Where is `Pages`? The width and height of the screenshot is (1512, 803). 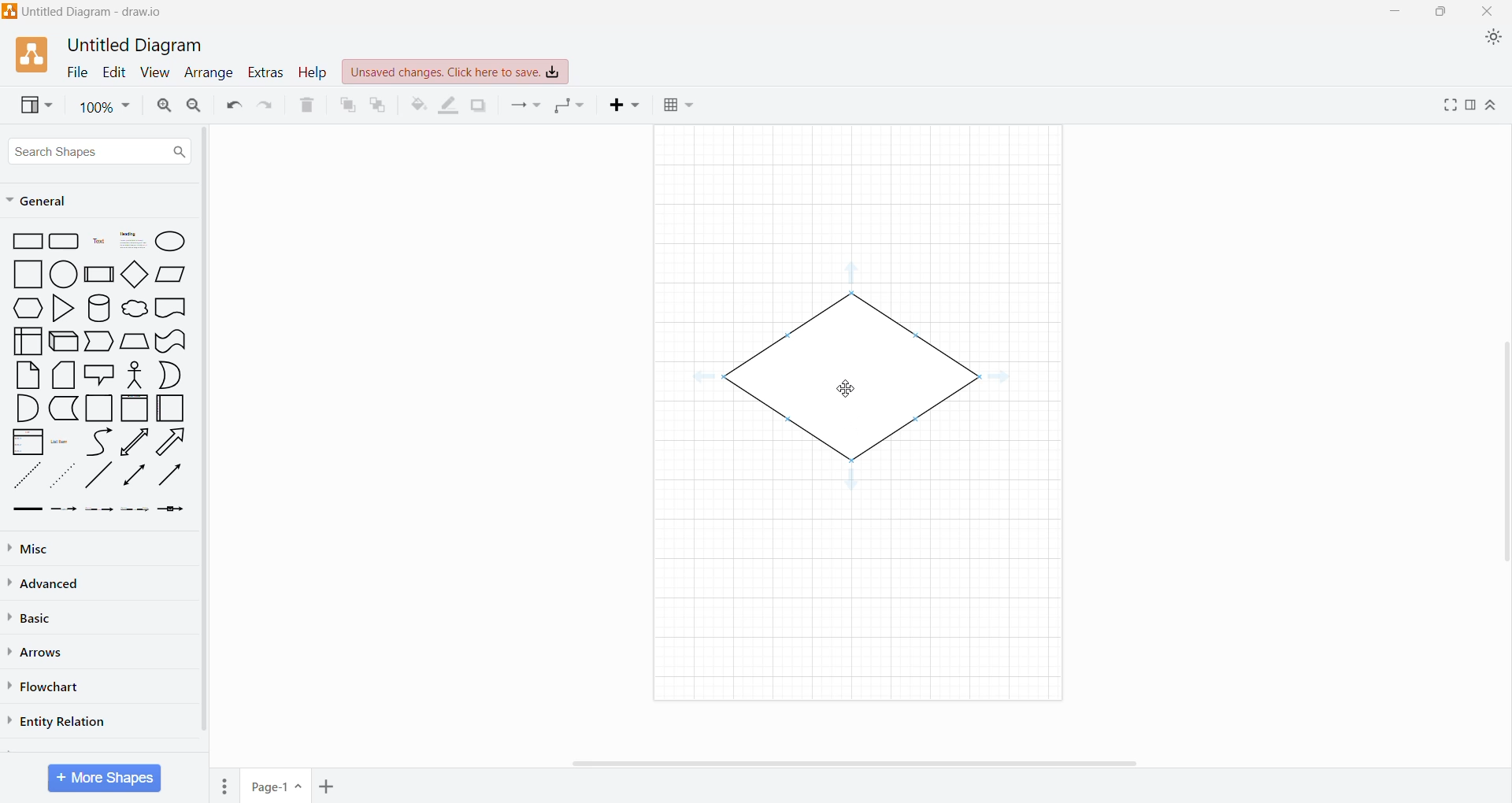
Pages is located at coordinates (224, 786).